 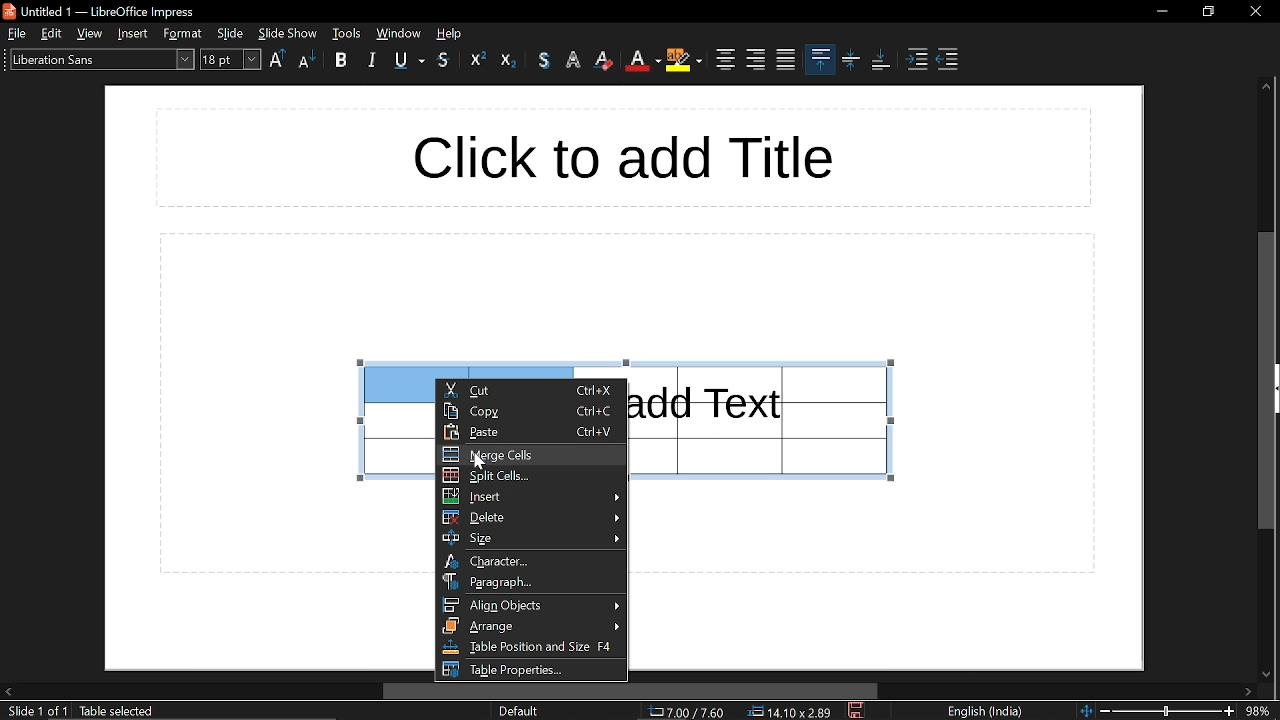 What do you see at coordinates (531, 454) in the screenshot?
I see `merge cells` at bounding box center [531, 454].